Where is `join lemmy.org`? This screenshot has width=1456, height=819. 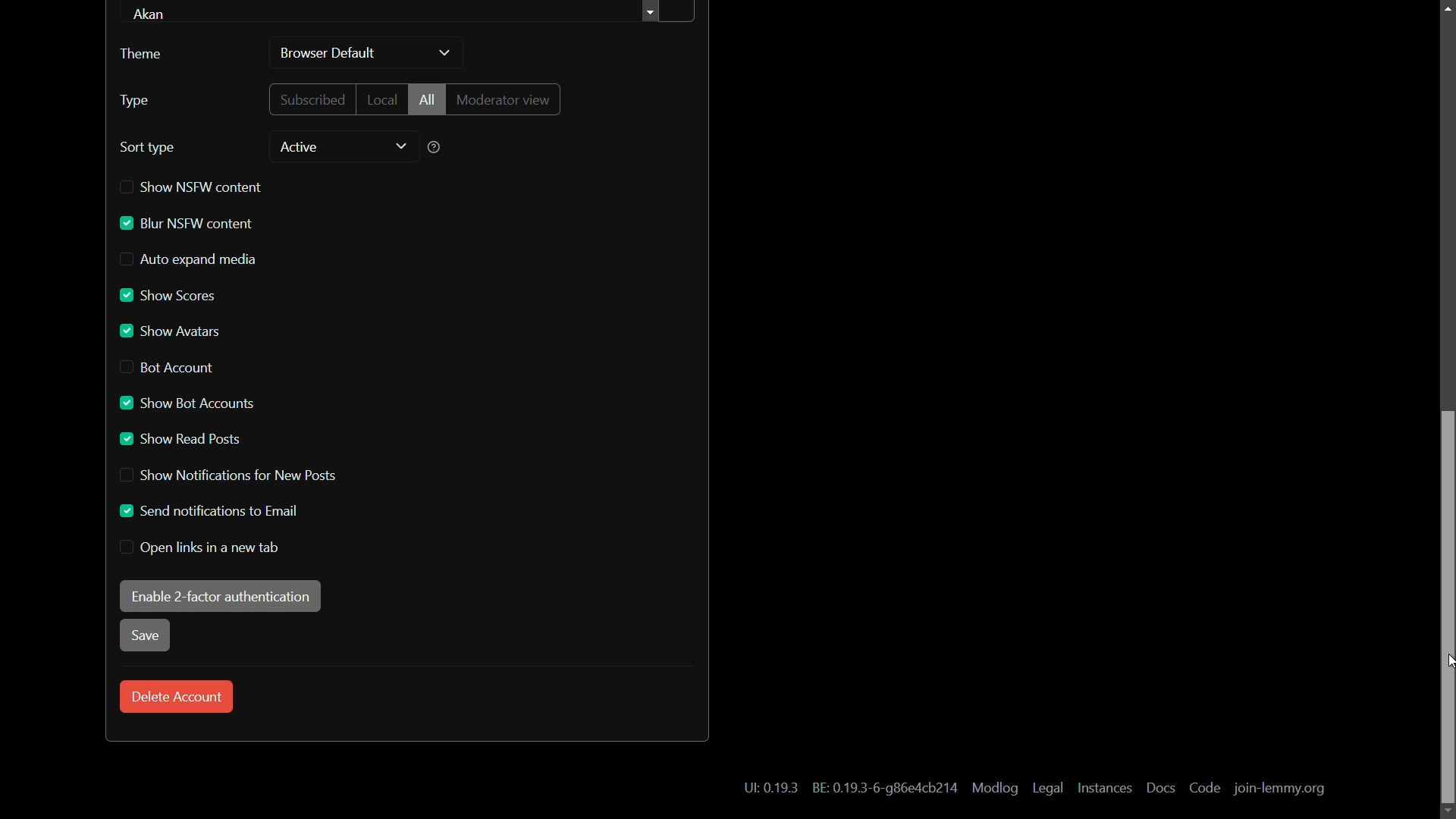
join lemmy.org is located at coordinates (1279, 789).